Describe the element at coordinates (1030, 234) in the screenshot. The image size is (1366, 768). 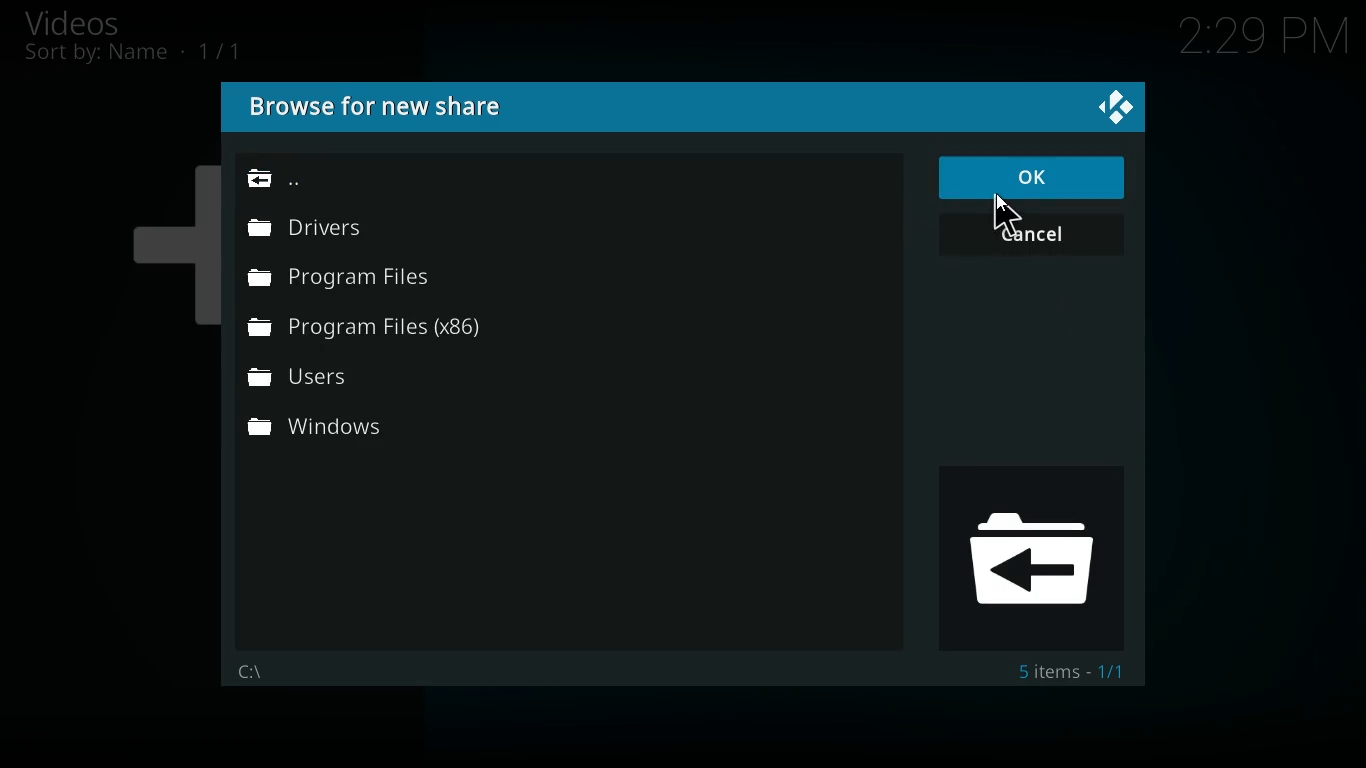
I see `Cancel` at that location.